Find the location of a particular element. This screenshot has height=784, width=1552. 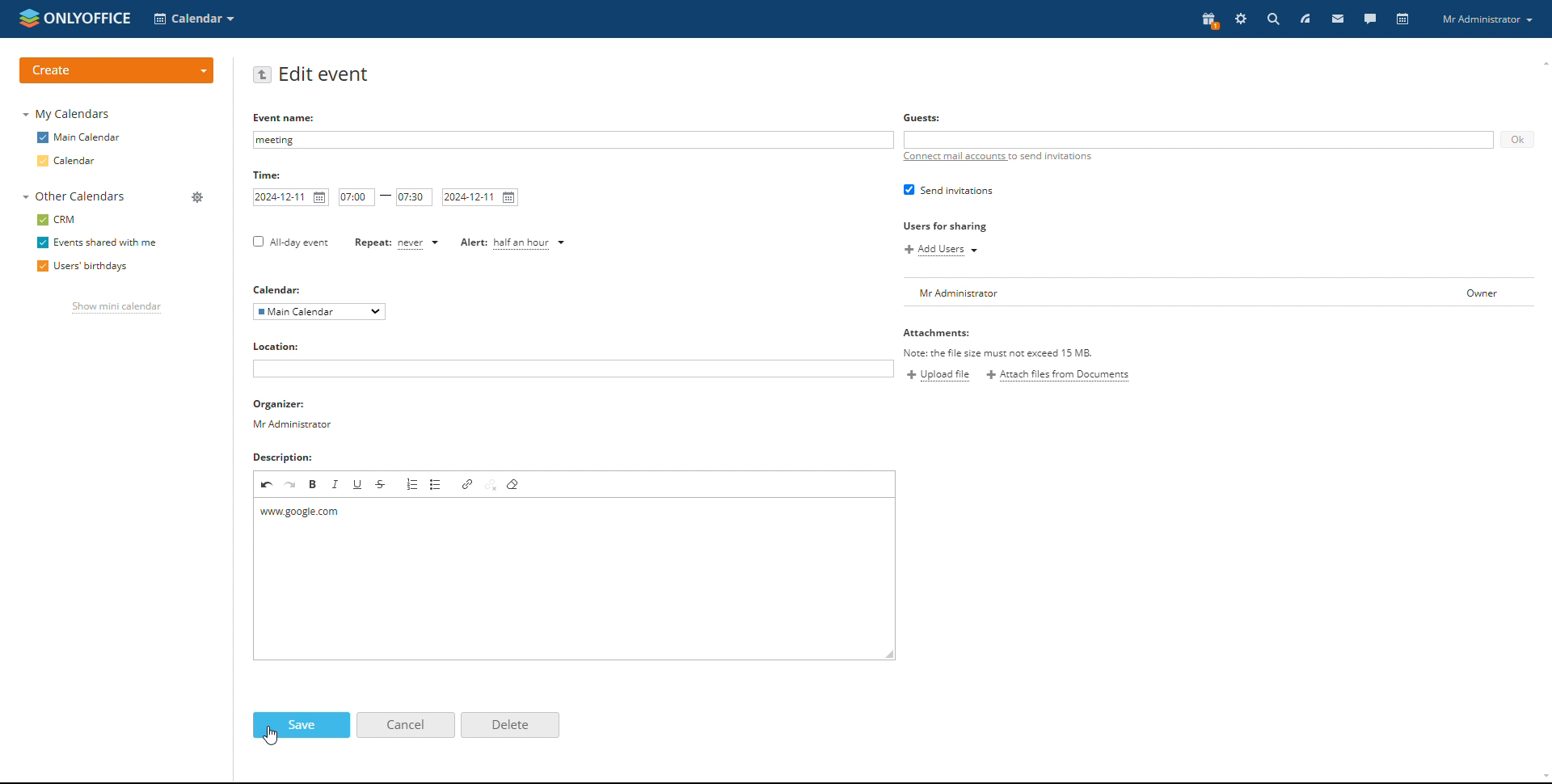

add guests is located at coordinates (1198, 139).